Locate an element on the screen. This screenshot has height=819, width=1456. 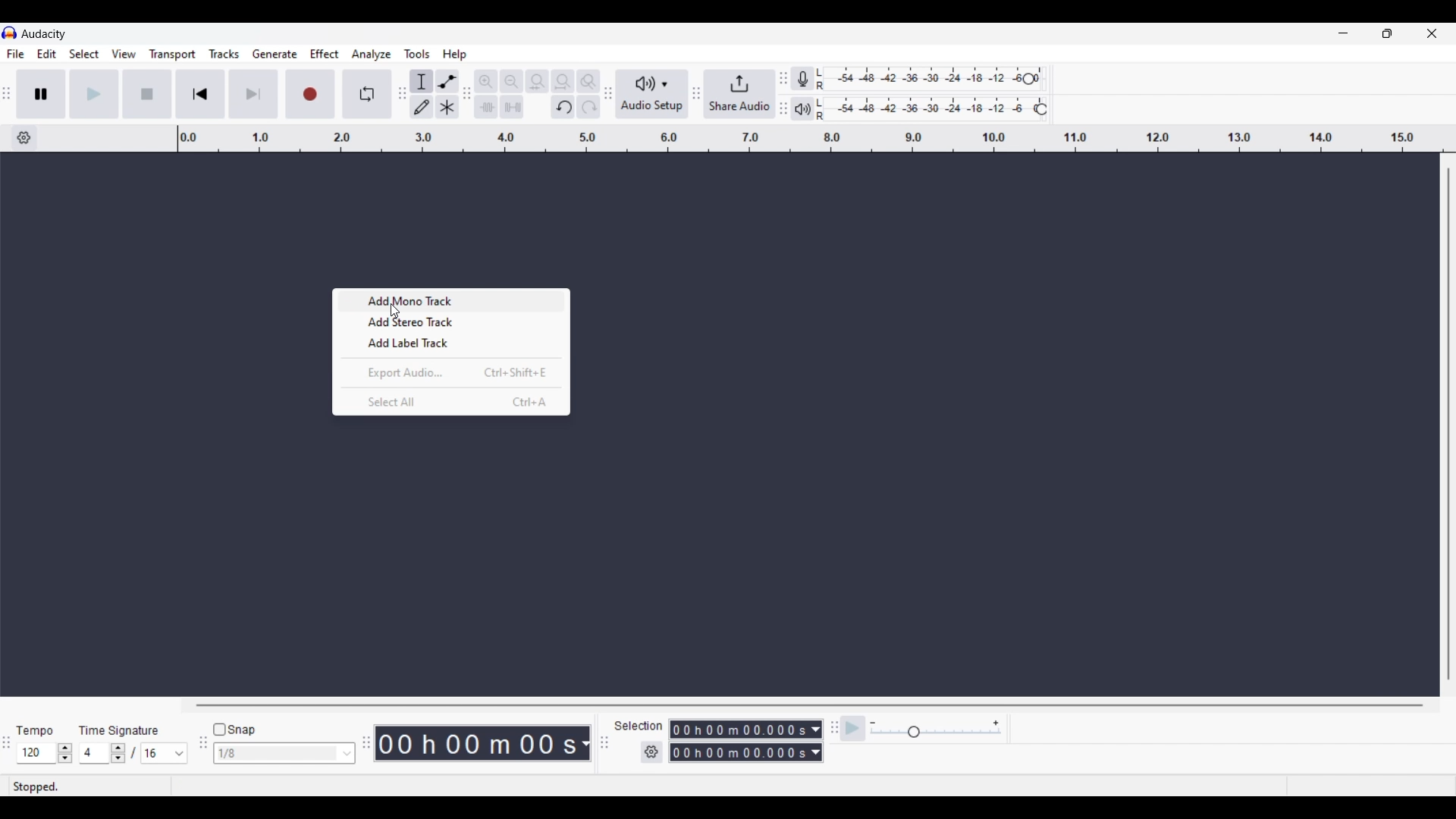
Effect menu is located at coordinates (325, 54).